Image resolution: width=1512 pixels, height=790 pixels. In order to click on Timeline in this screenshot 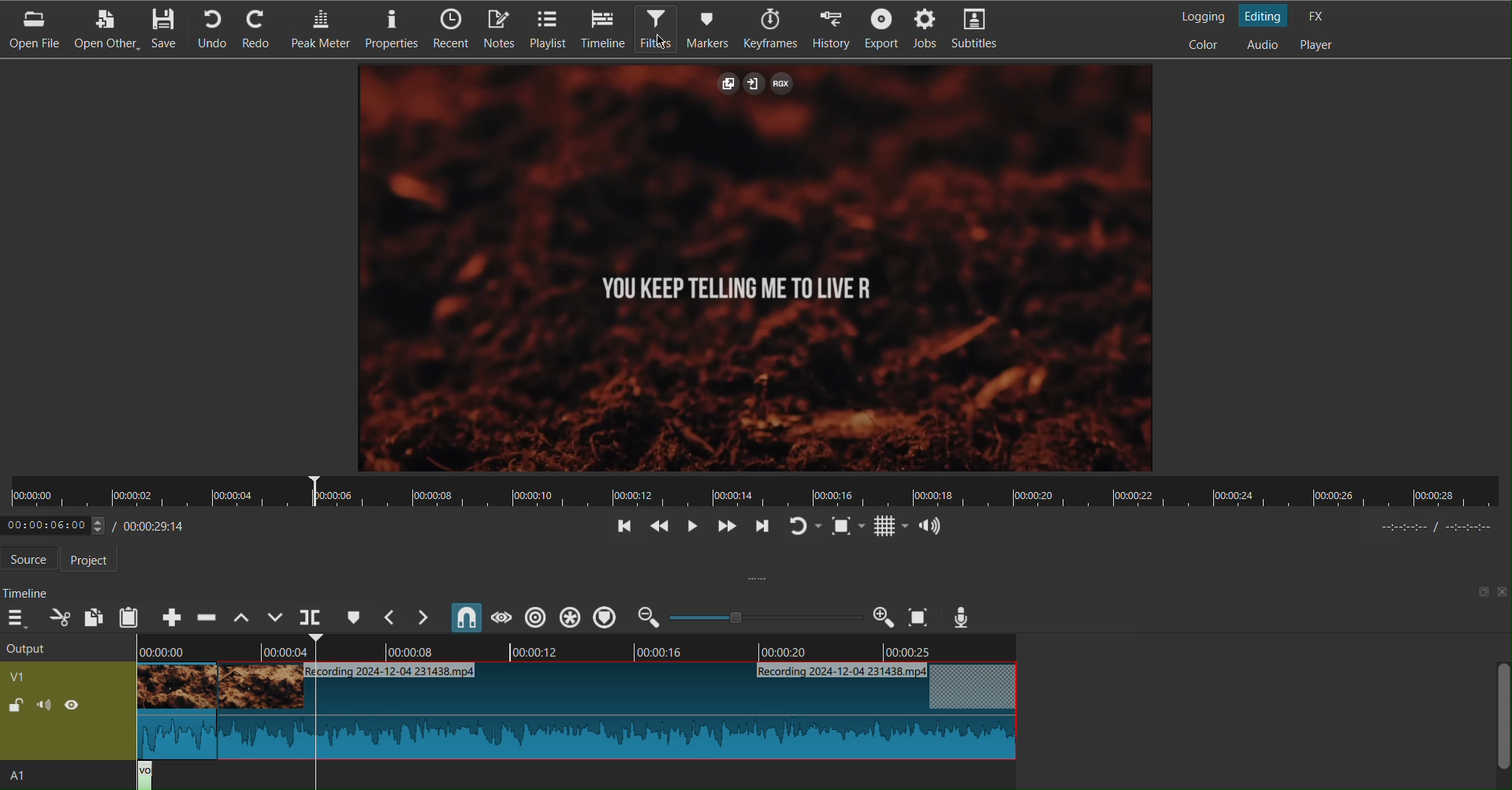, I will do `click(579, 647)`.